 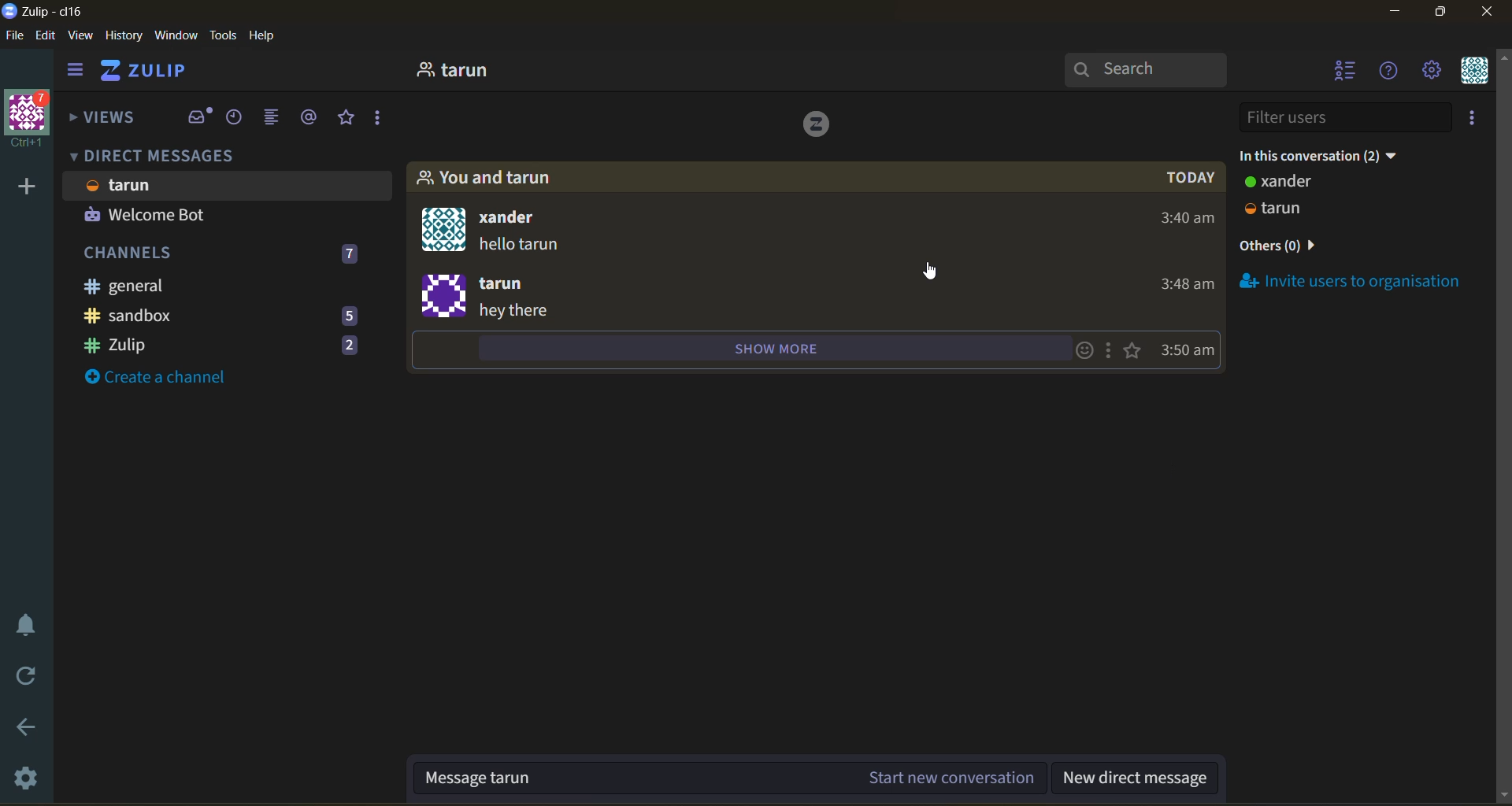 I want to click on main menu, so click(x=1431, y=72).